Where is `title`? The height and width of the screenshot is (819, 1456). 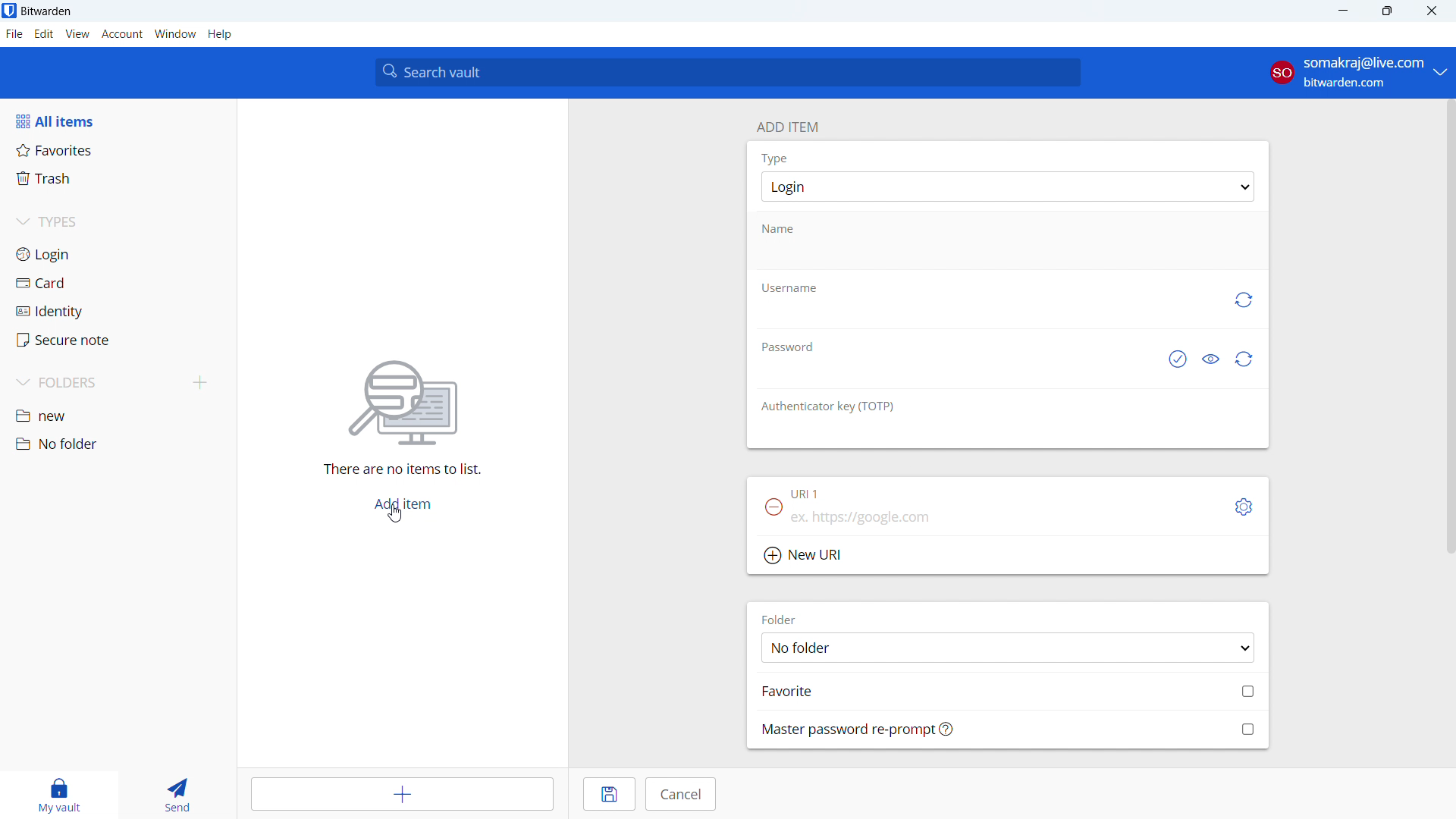 title is located at coordinates (46, 11).